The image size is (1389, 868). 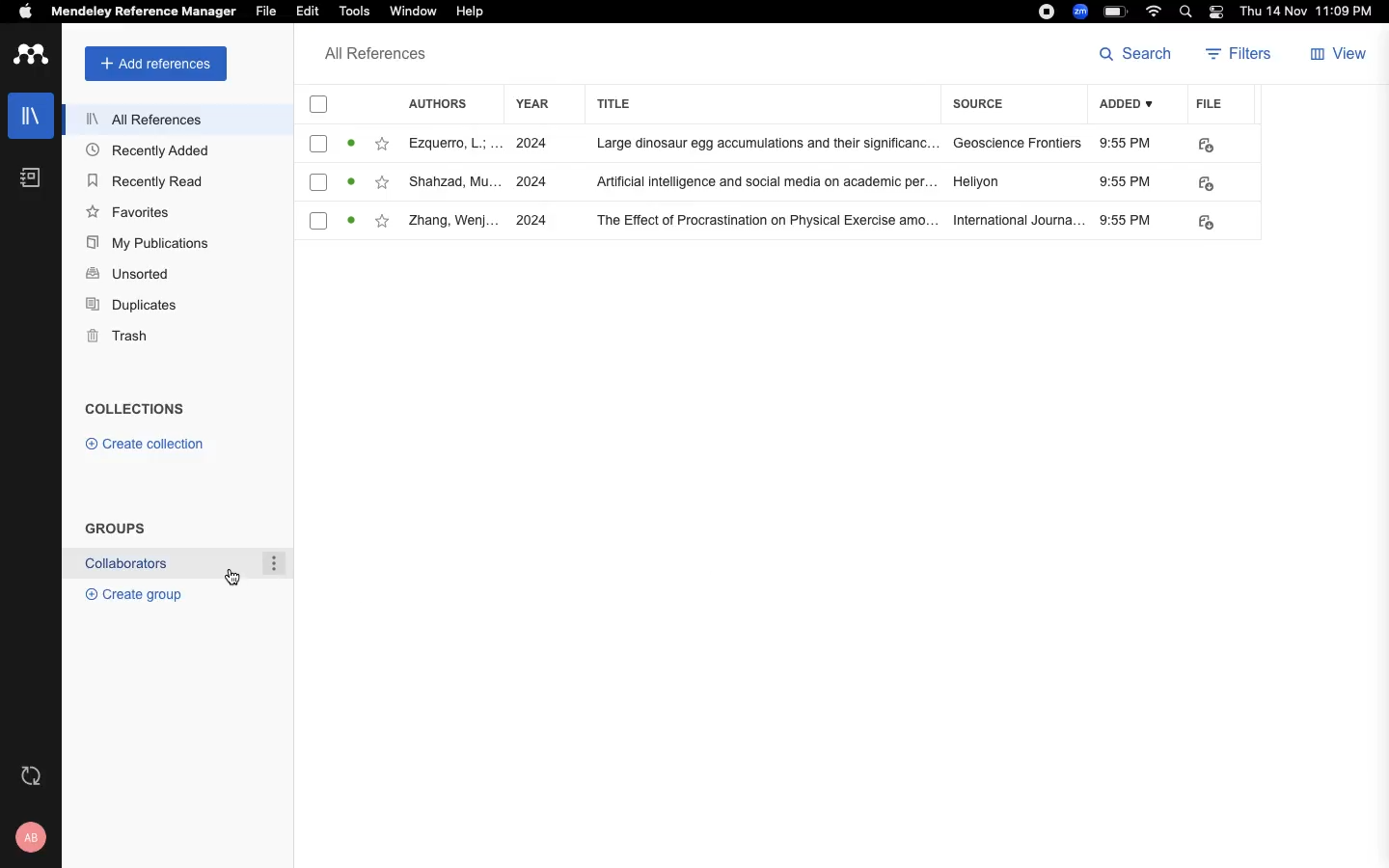 I want to click on GROUPS, so click(x=116, y=527).